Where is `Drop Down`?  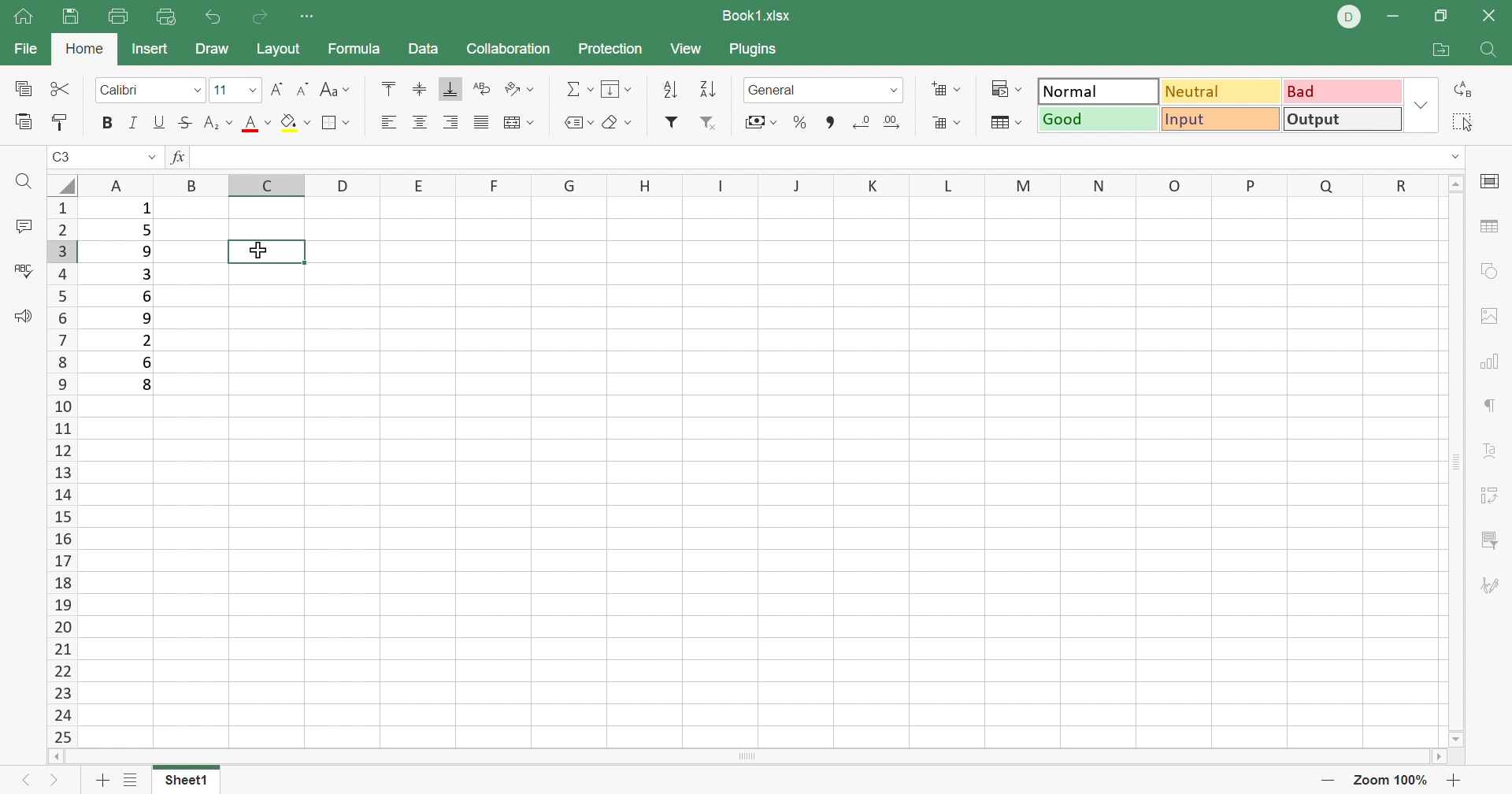 Drop Down is located at coordinates (252, 90).